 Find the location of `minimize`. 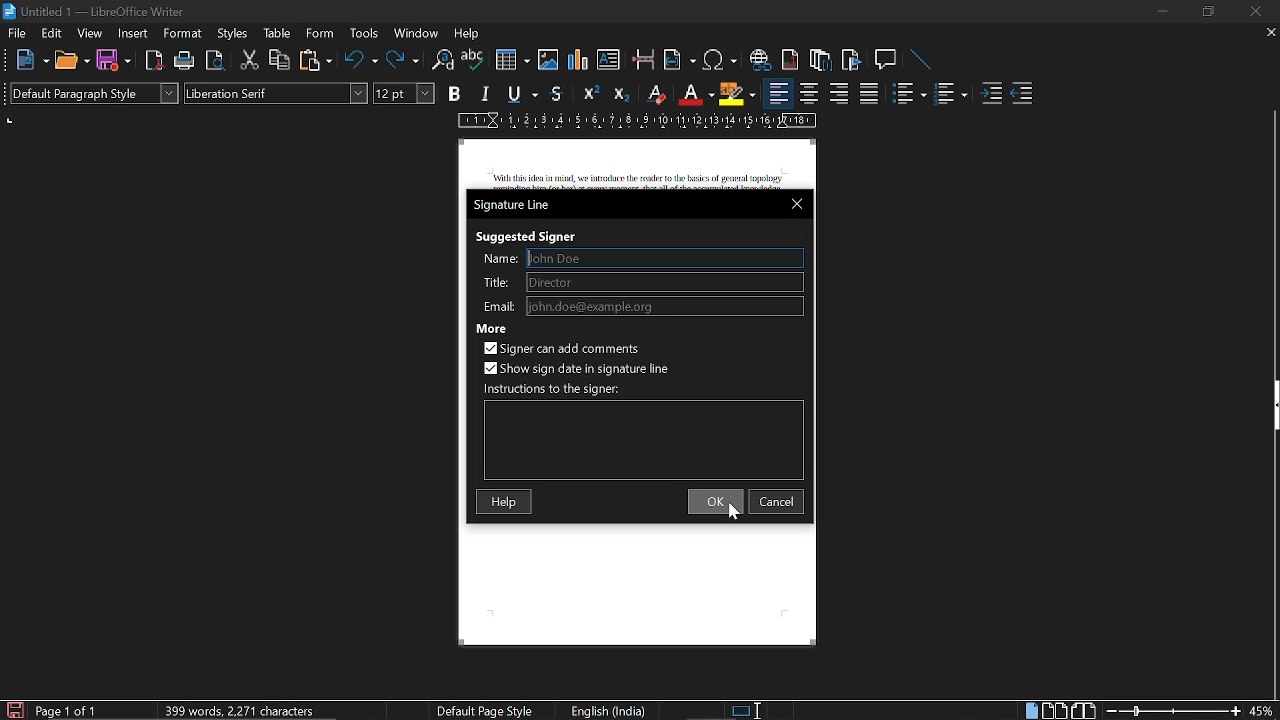

minimize is located at coordinates (1158, 10).